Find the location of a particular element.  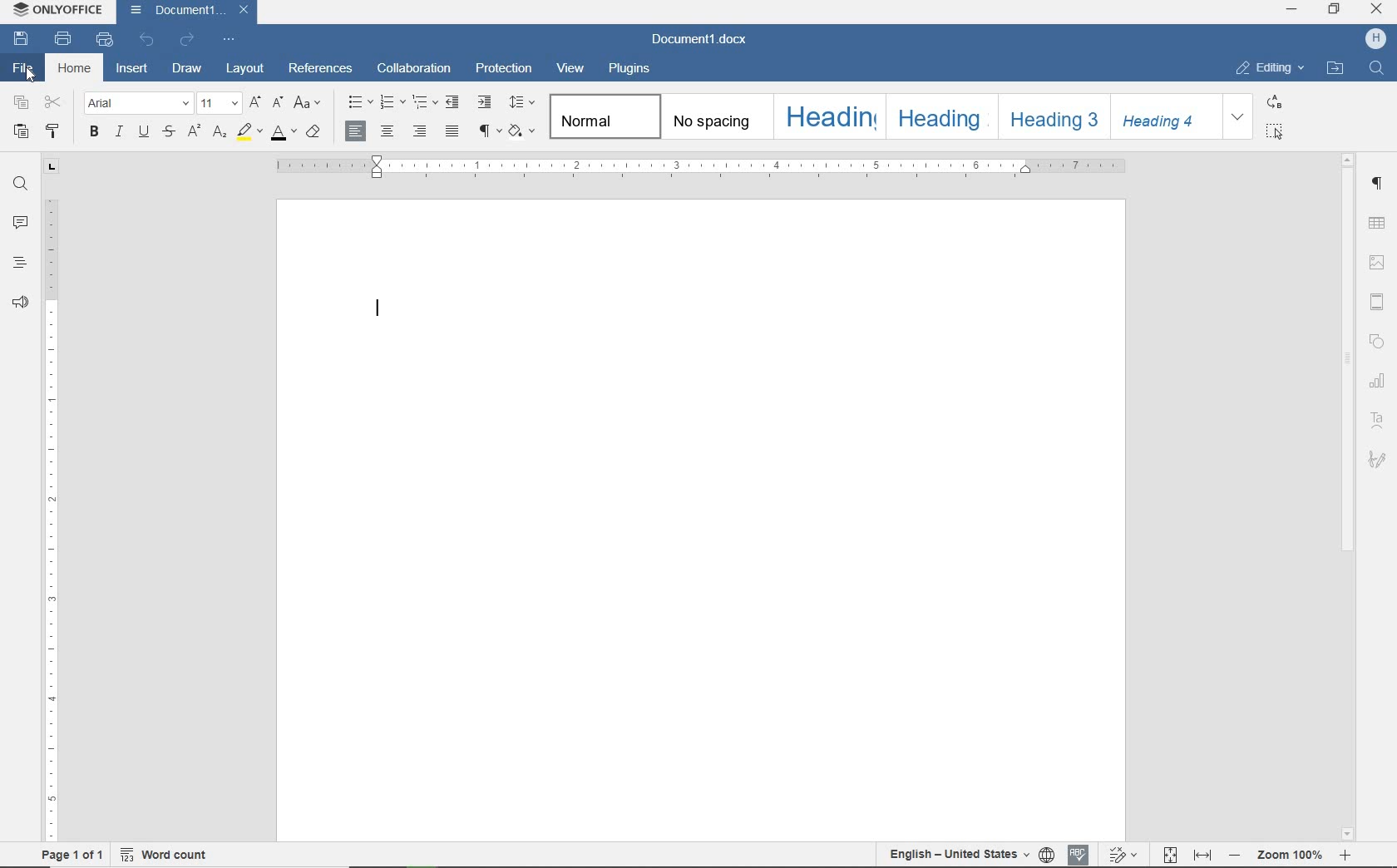

ruler is located at coordinates (700, 166).